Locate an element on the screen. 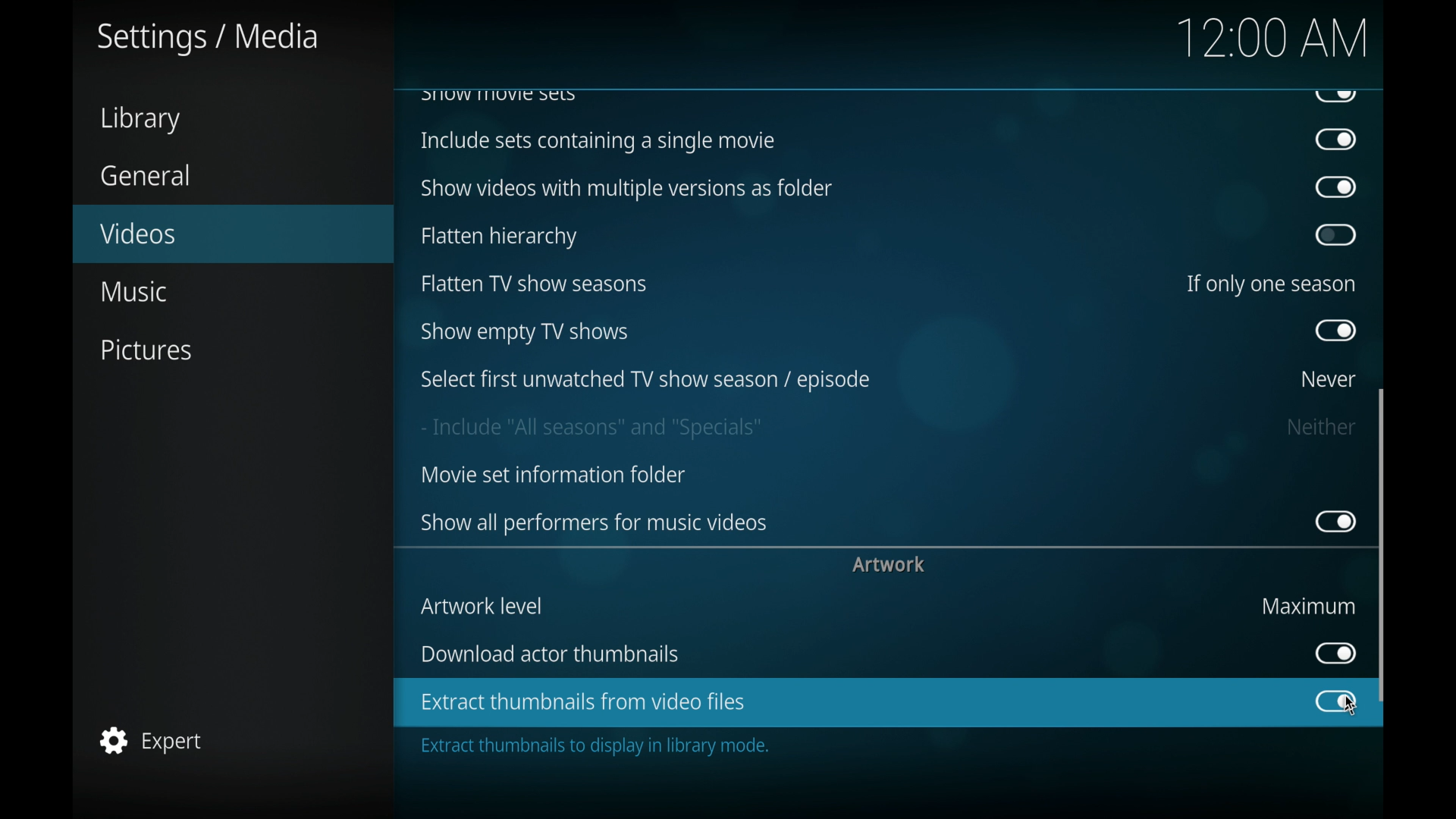  enable extract thumbnails from video files is located at coordinates (582, 703).